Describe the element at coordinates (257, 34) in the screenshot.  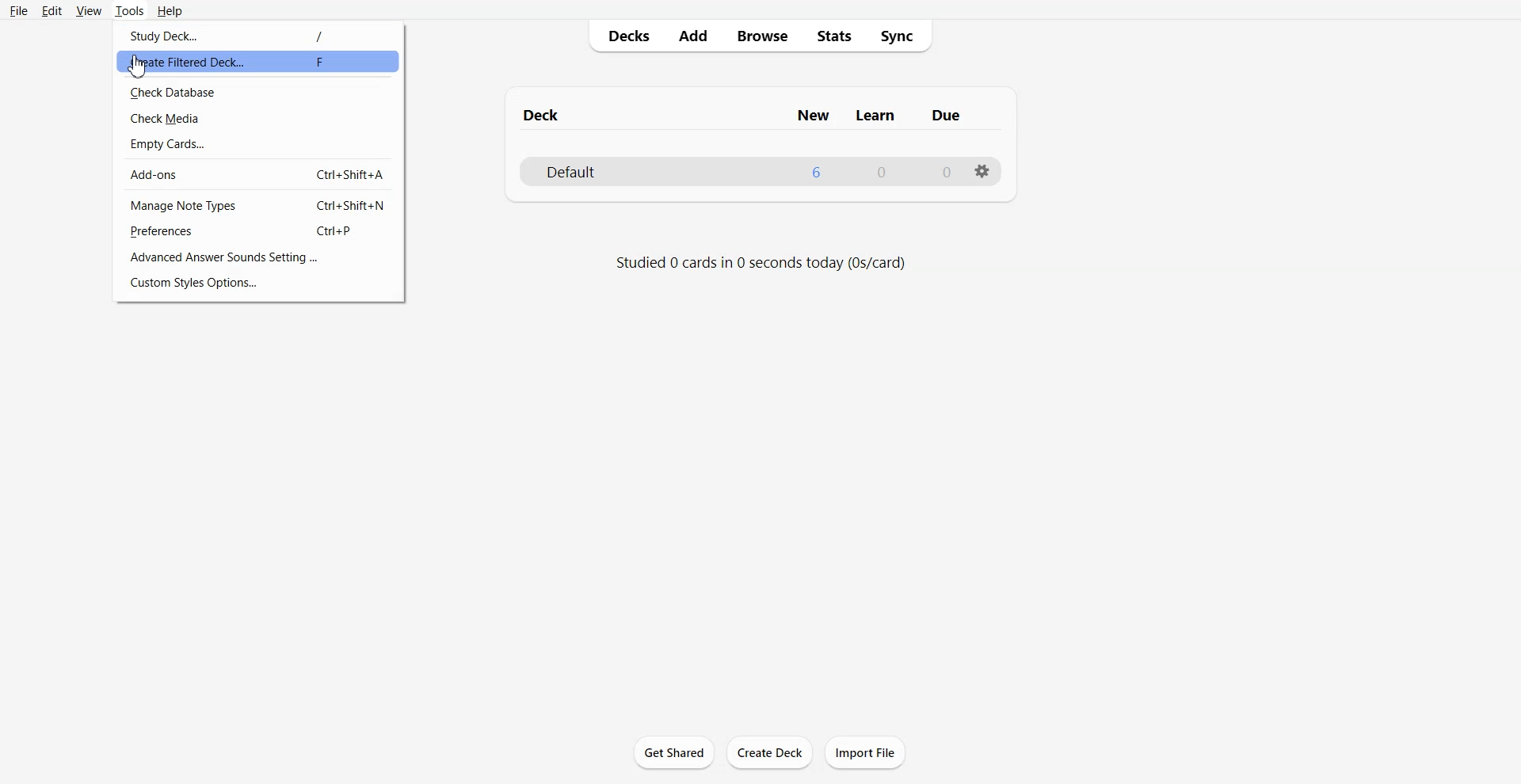
I see `Study Deck` at that location.